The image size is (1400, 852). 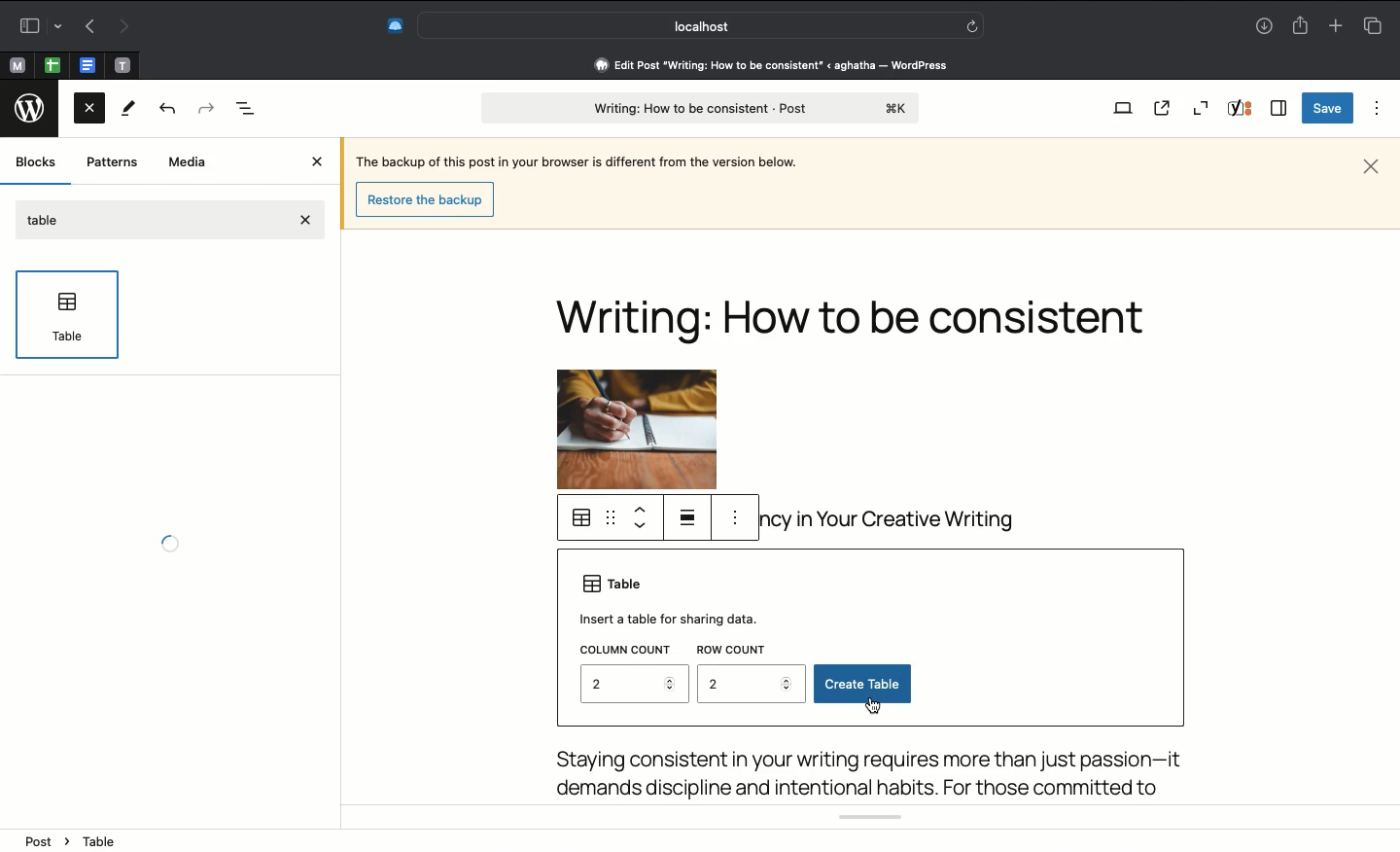 I want to click on Table, so click(x=582, y=519).